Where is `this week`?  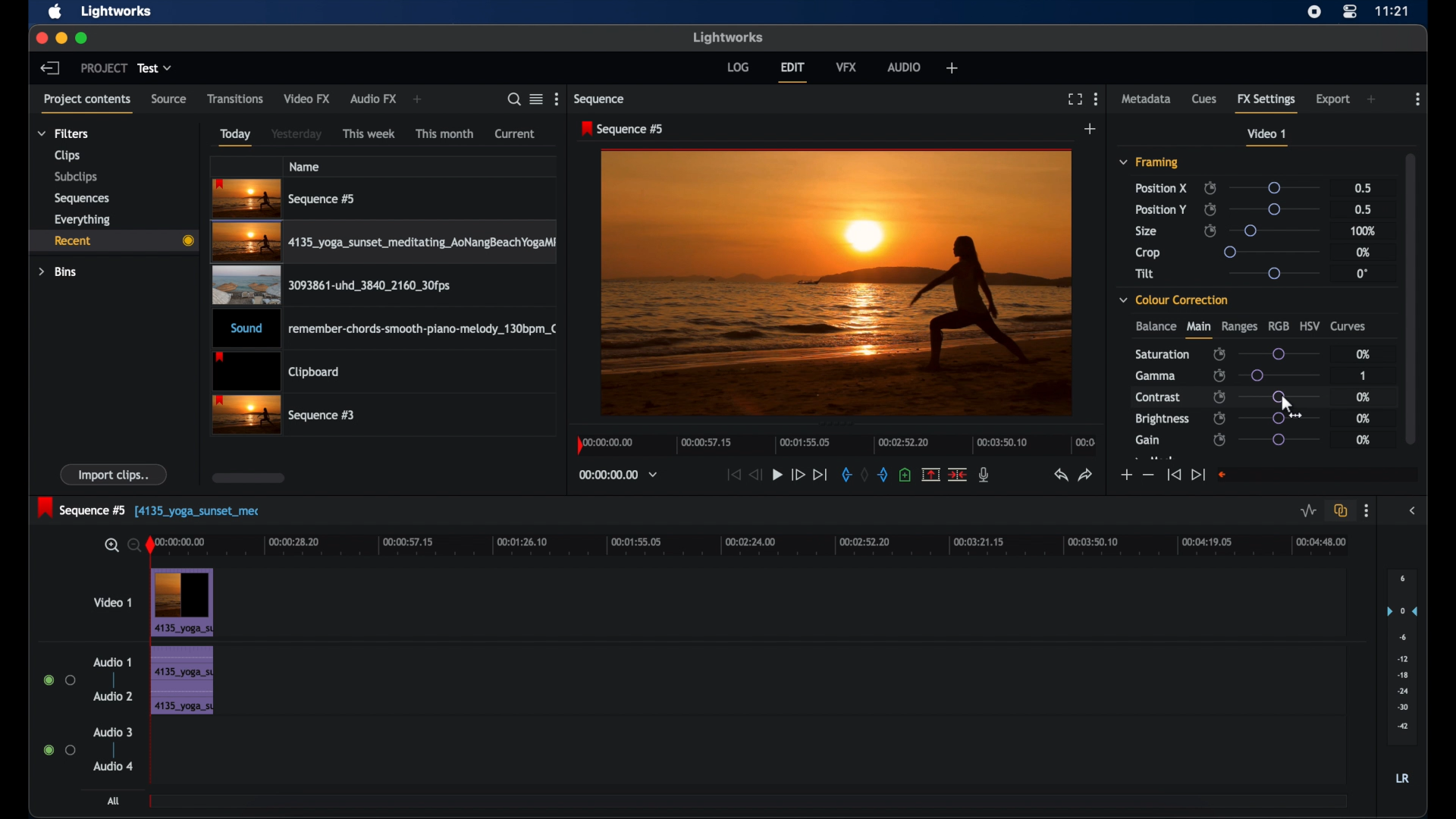 this week is located at coordinates (369, 134).